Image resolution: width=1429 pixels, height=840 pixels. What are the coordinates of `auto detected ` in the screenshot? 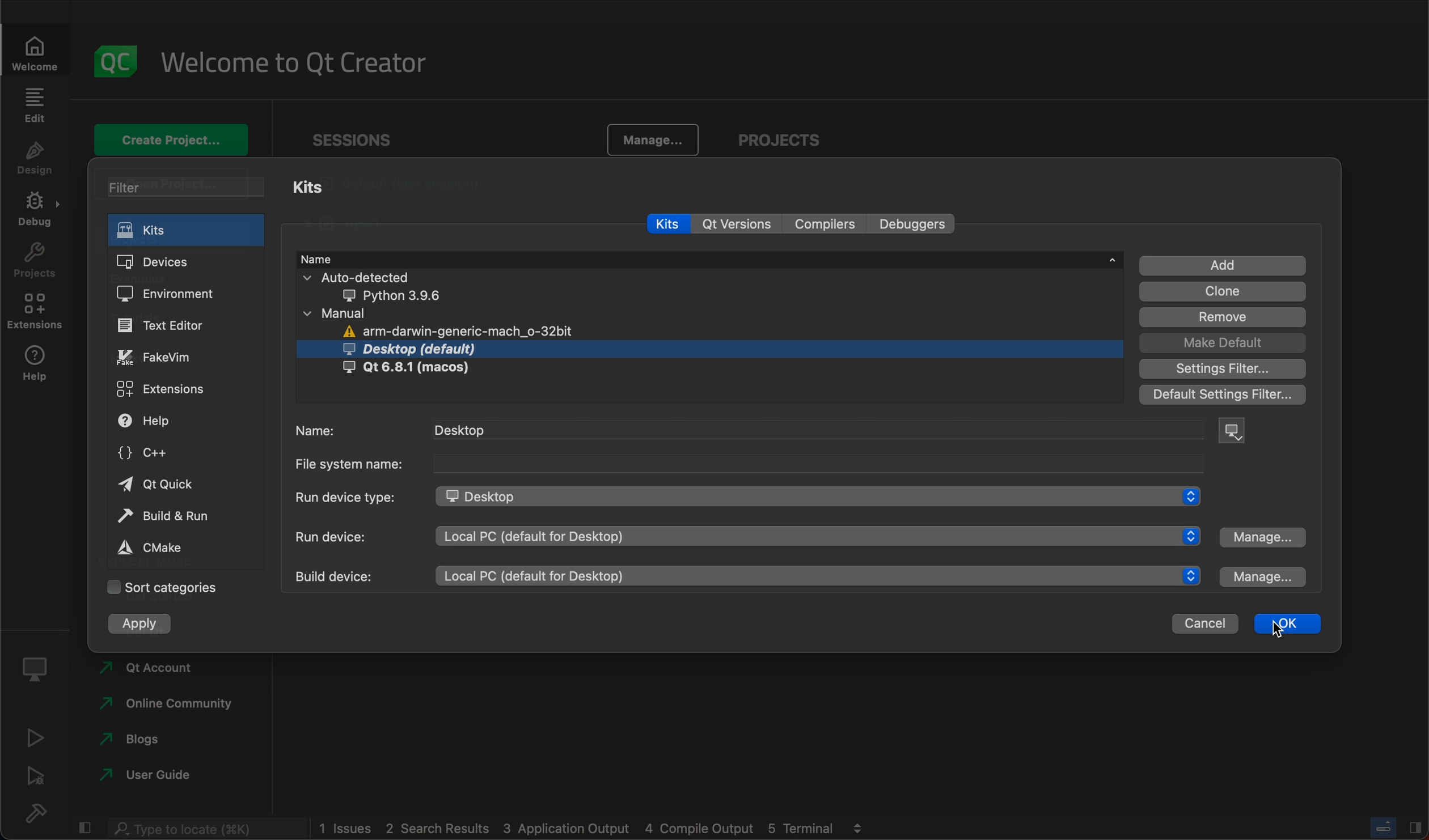 It's located at (400, 278).